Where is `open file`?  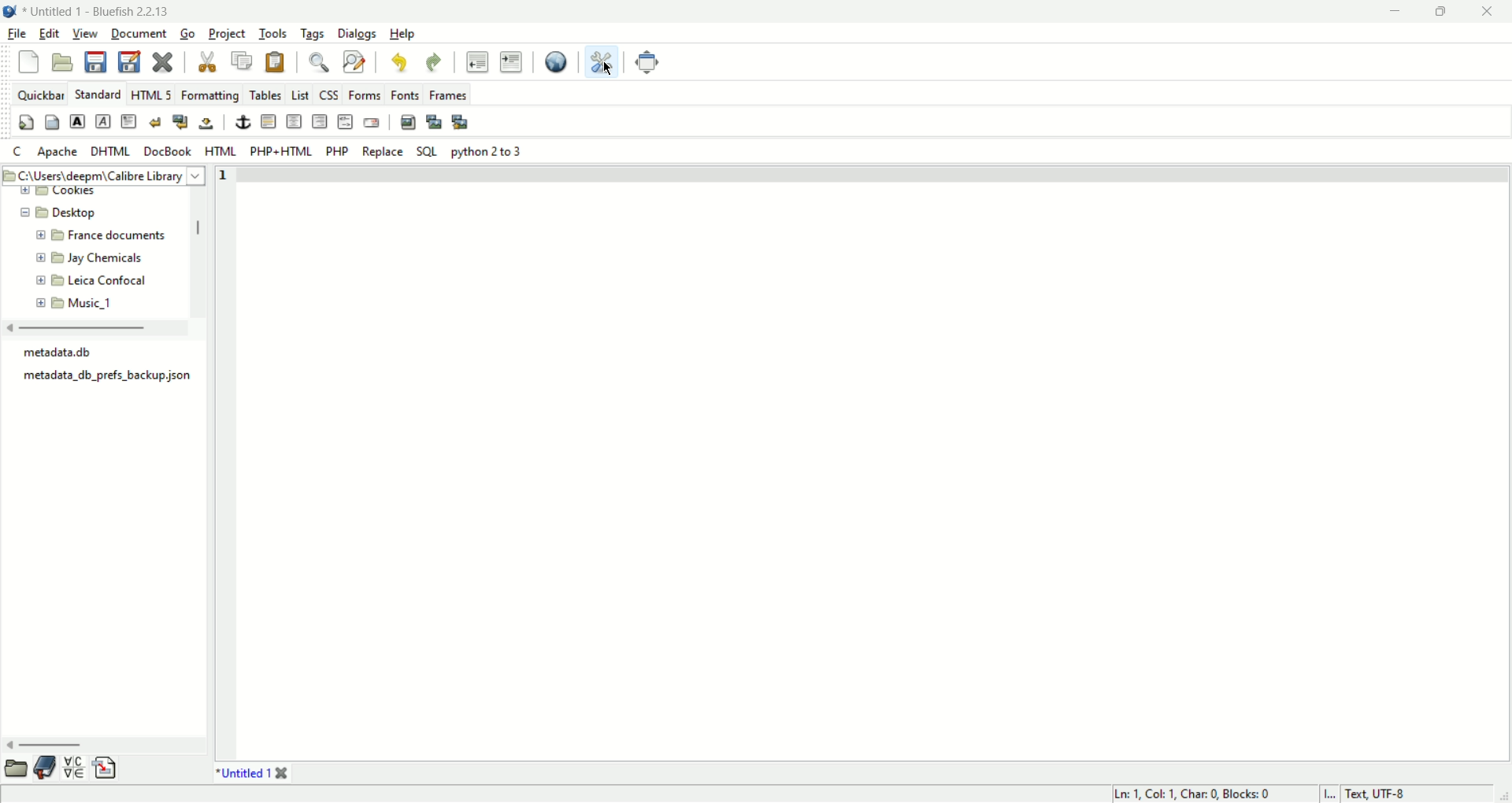
open file is located at coordinates (63, 63).